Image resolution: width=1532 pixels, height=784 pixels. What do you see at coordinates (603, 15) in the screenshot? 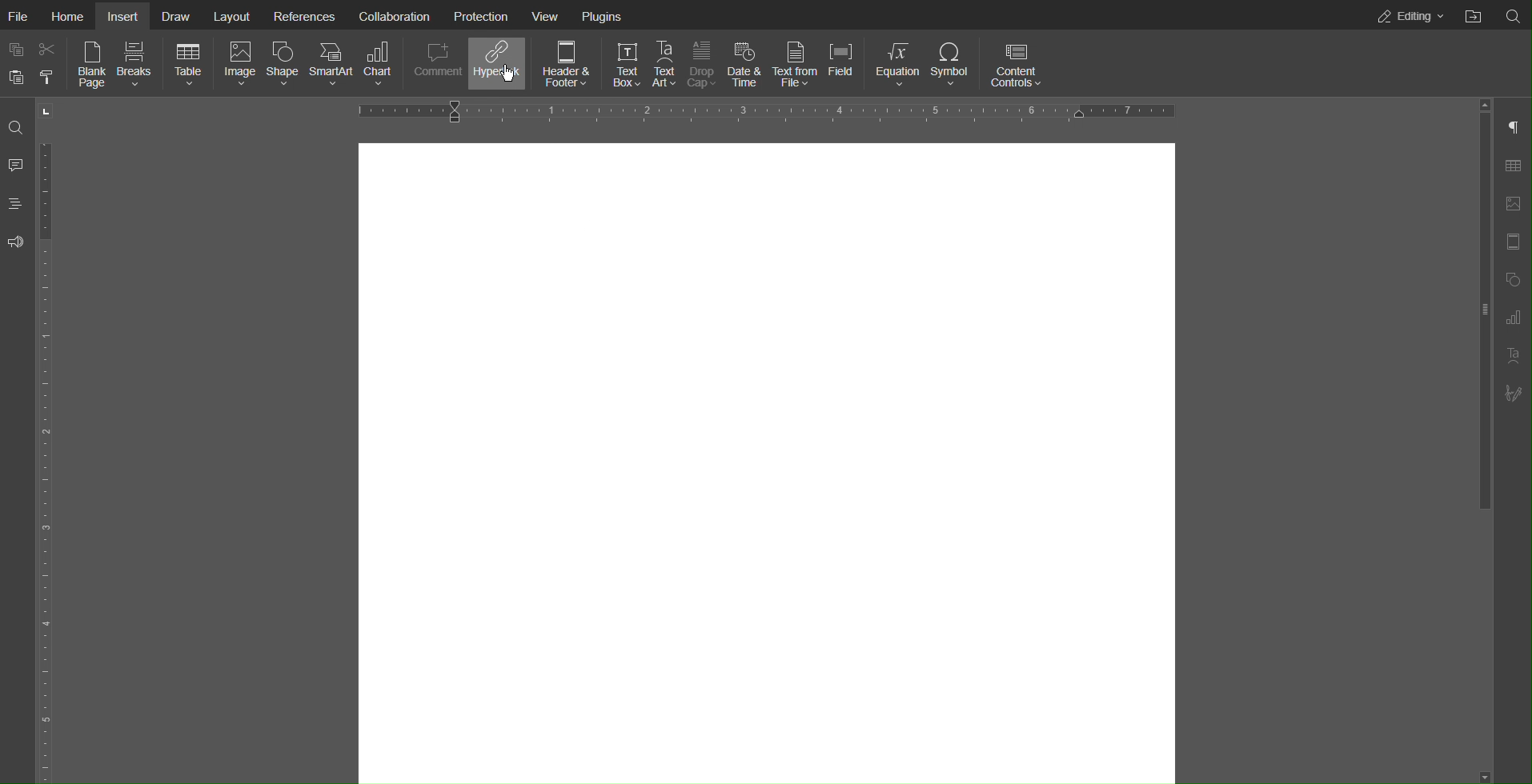
I see `Plugins` at bounding box center [603, 15].